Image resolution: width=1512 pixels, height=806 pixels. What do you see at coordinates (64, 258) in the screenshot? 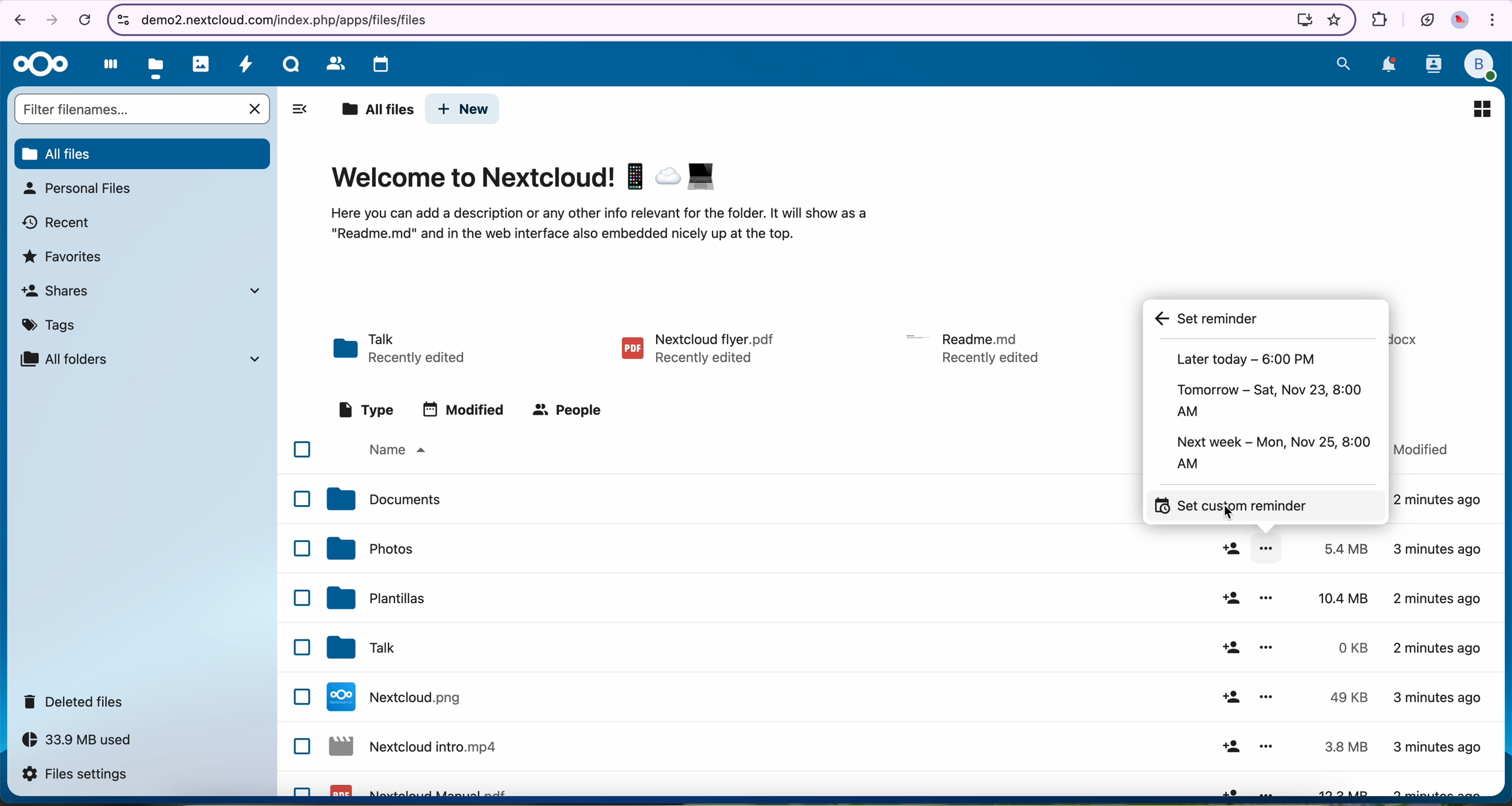
I see `favorites` at bounding box center [64, 258].